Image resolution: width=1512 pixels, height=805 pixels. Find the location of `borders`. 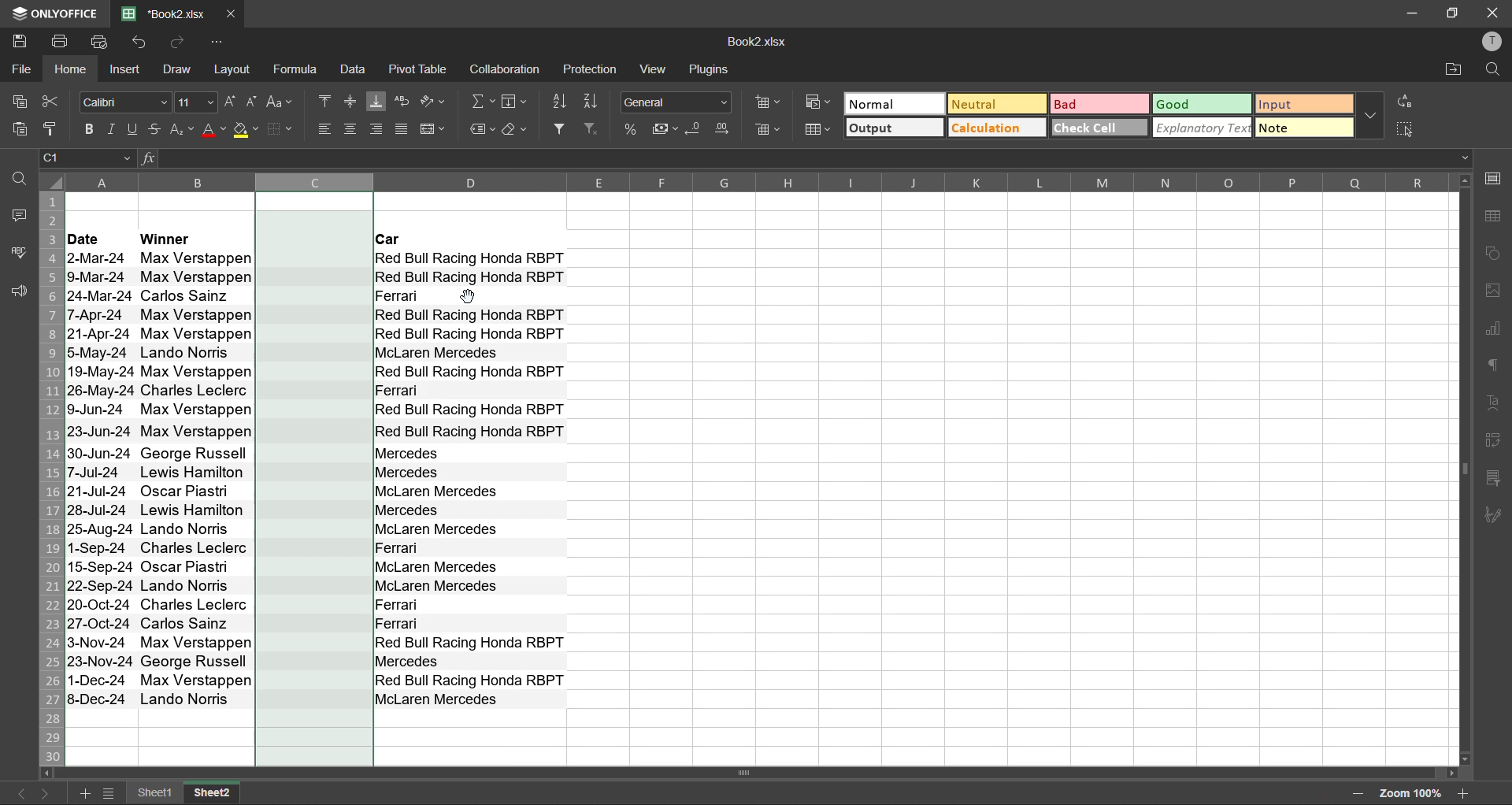

borders is located at coordinates (287, 131).